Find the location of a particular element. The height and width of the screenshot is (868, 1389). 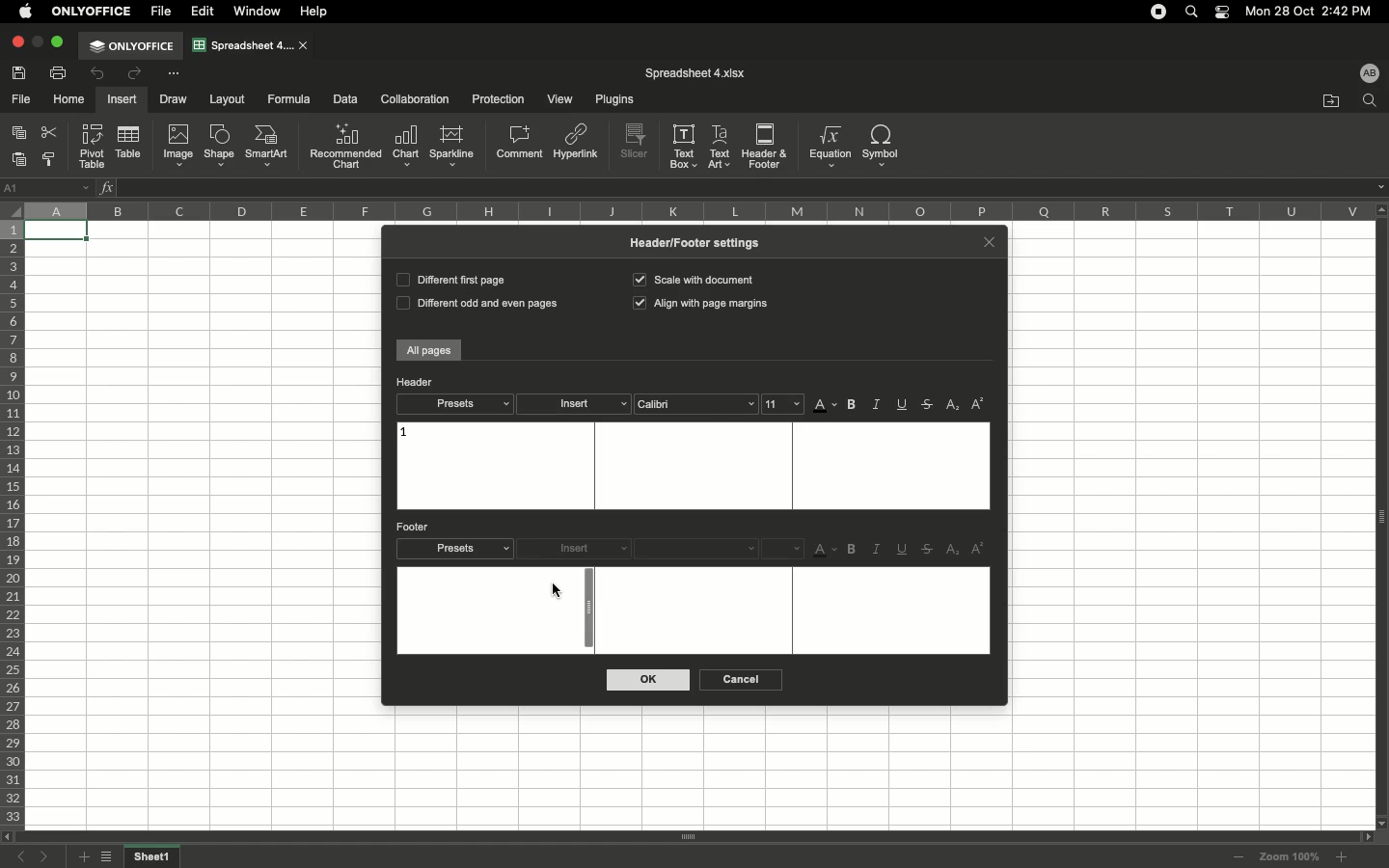

Next sheet is located at coordinates (49, 857).